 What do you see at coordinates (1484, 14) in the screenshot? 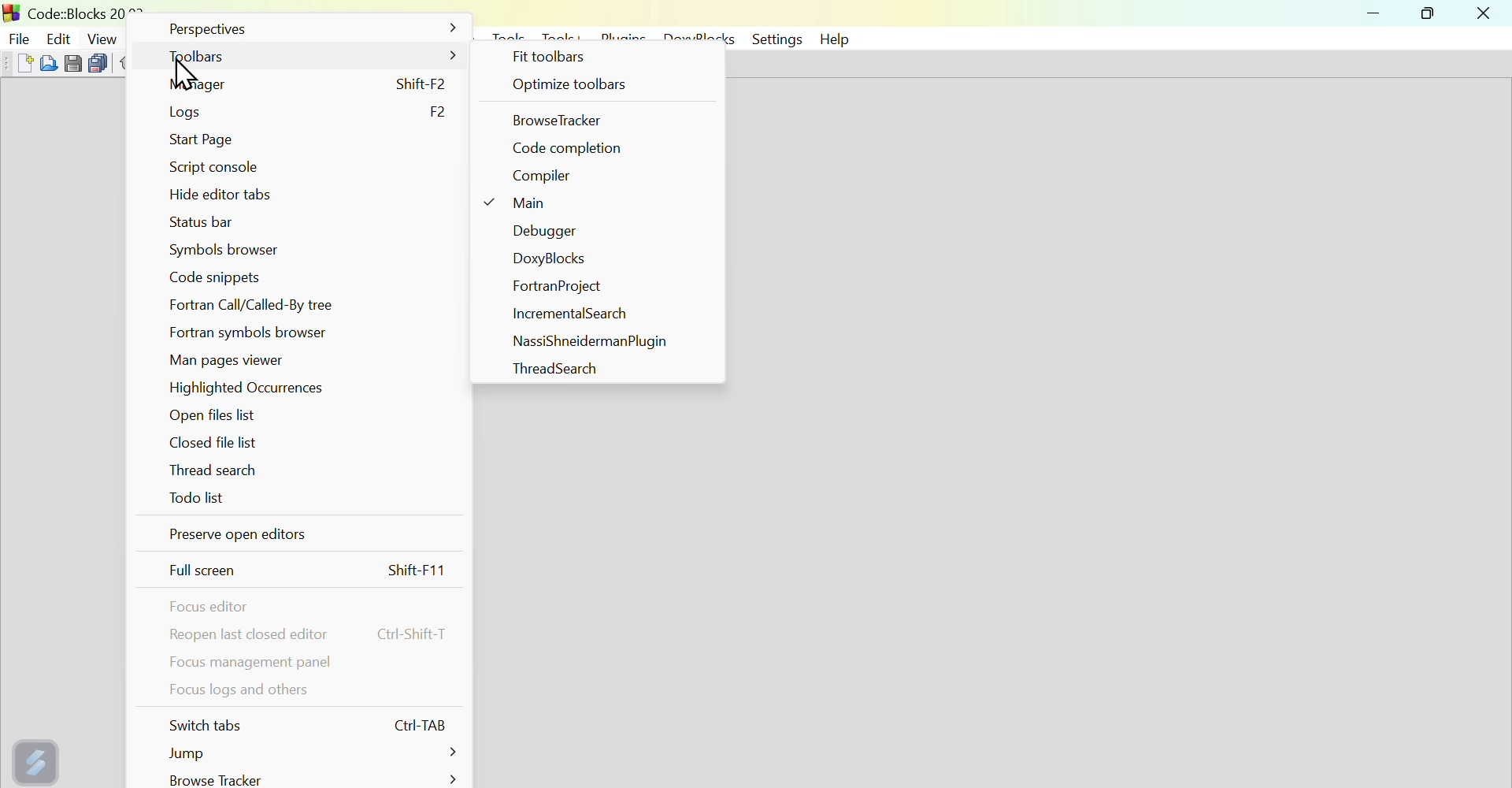
I see `Close` at bounding box center [1484, 14].